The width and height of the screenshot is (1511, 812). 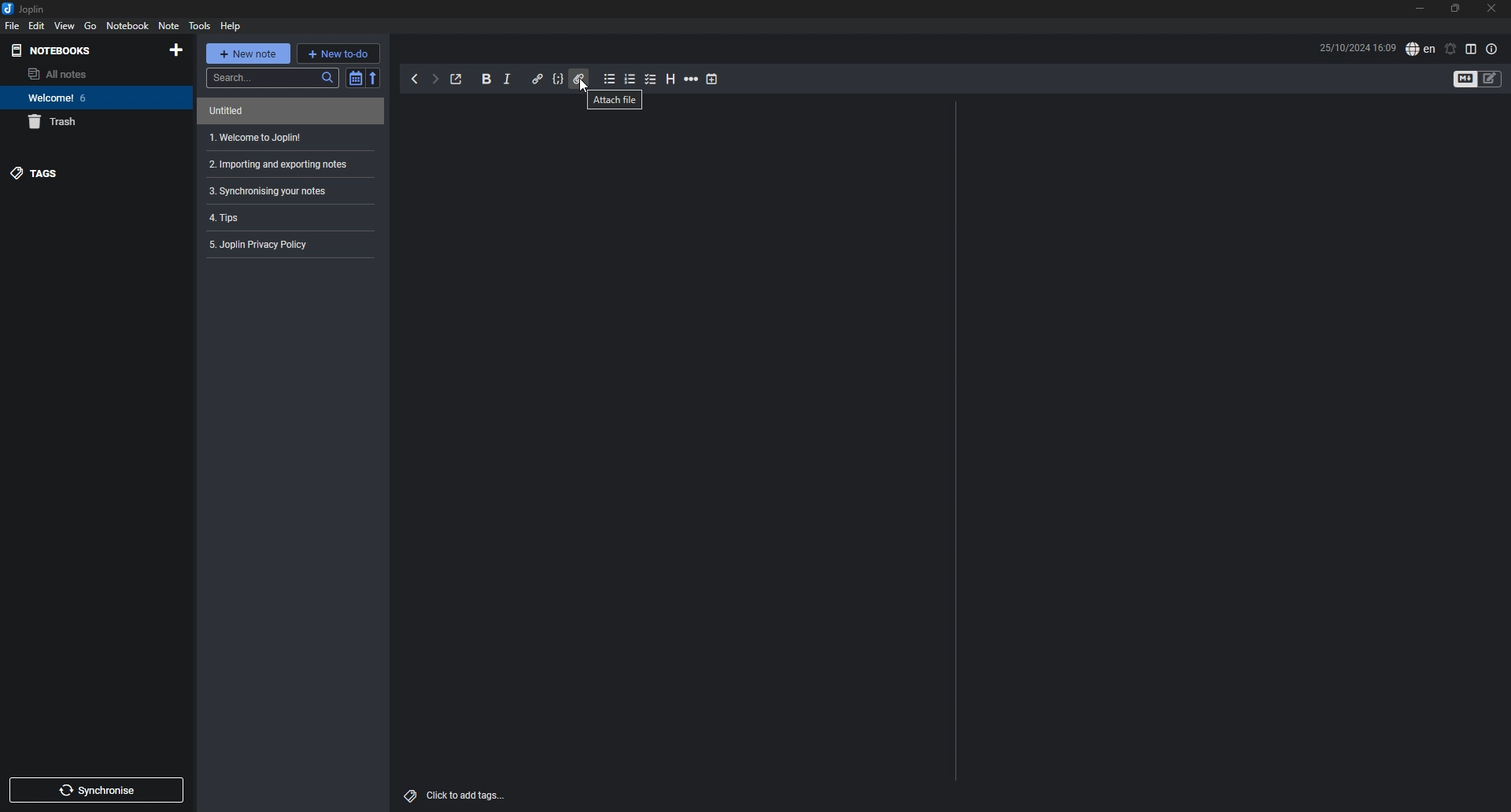 What do you see at coordinates (95, 790) in the screenshot?
I see `synchronise` at bounding box center [95, 790].